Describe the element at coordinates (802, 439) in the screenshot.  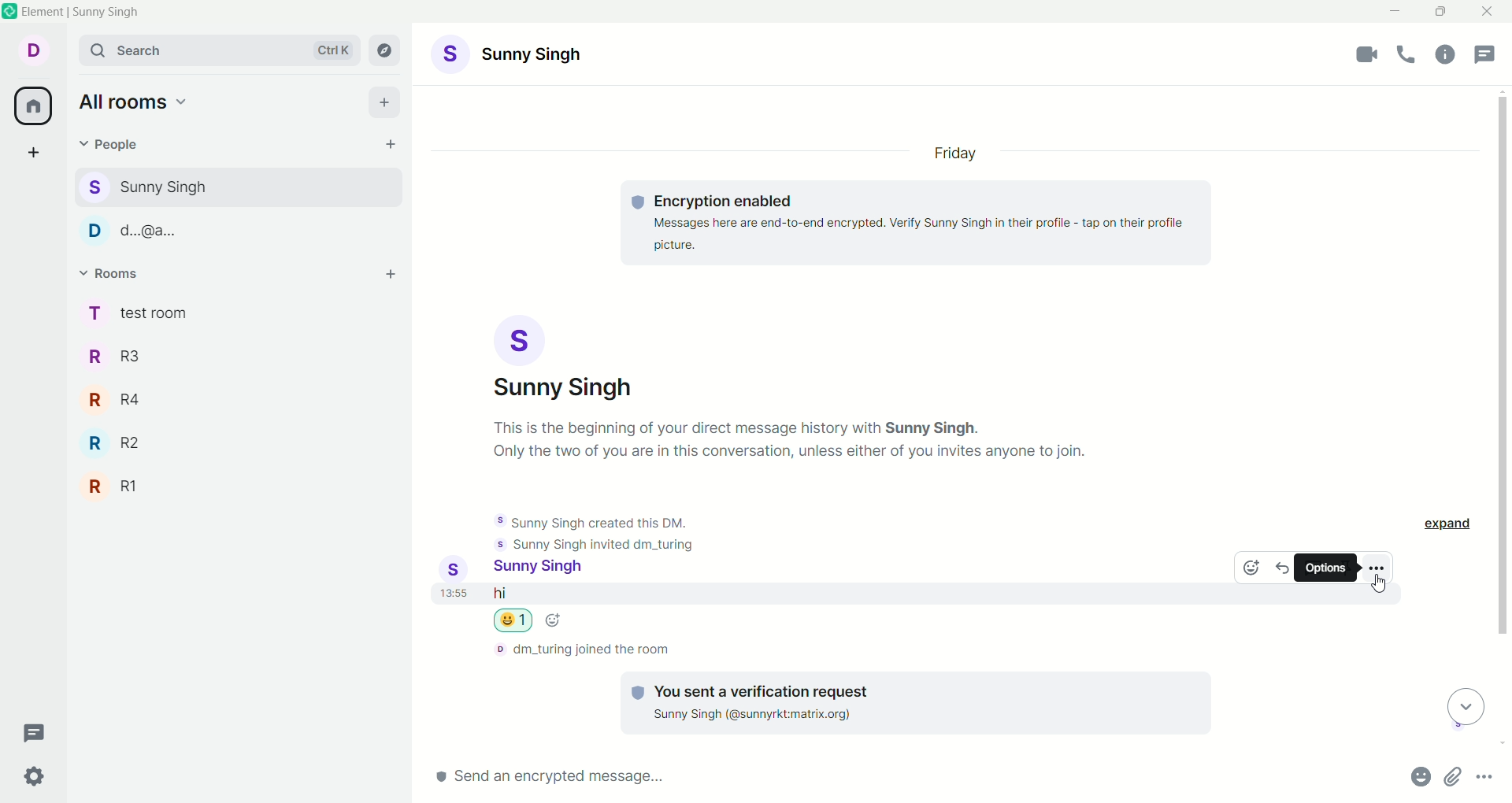
I see `text` at that location.